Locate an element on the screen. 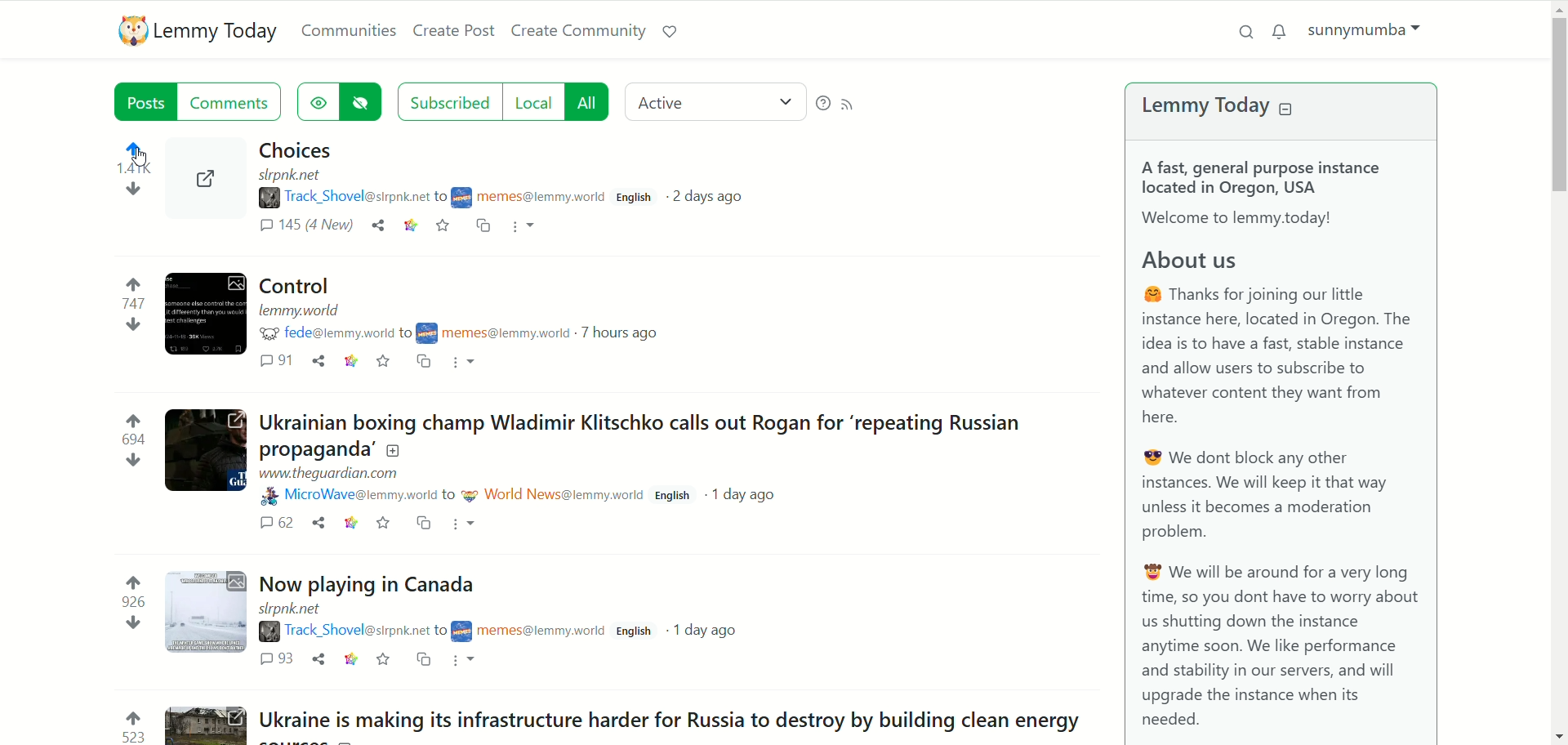 The width and height of the screenshot is (1568, 745). English is located at coordinates (635, 632).